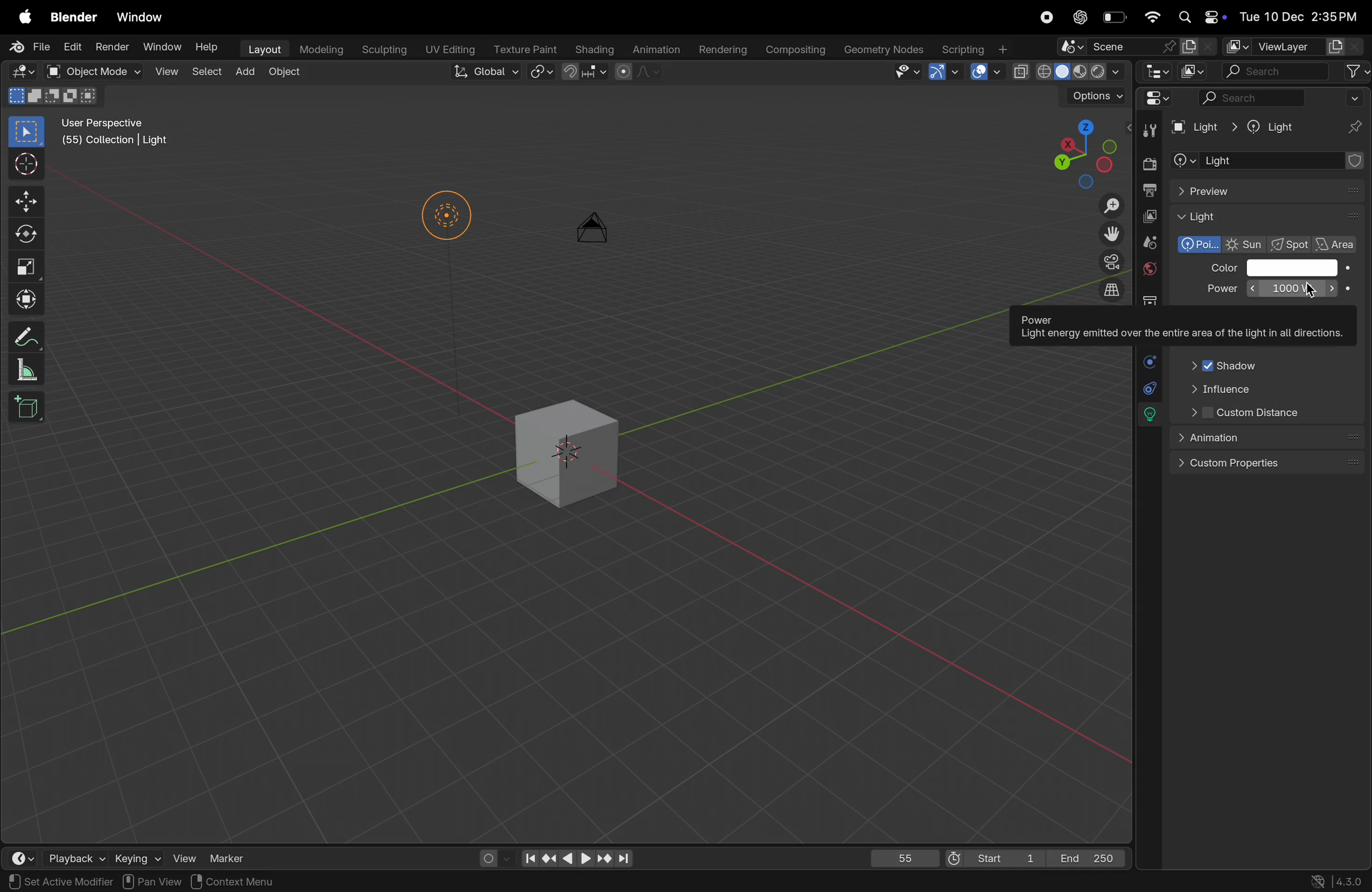  What do you see at coordinates (93, 71) in the screenshot?
I see `object mode` at bounding box center [93, 71].